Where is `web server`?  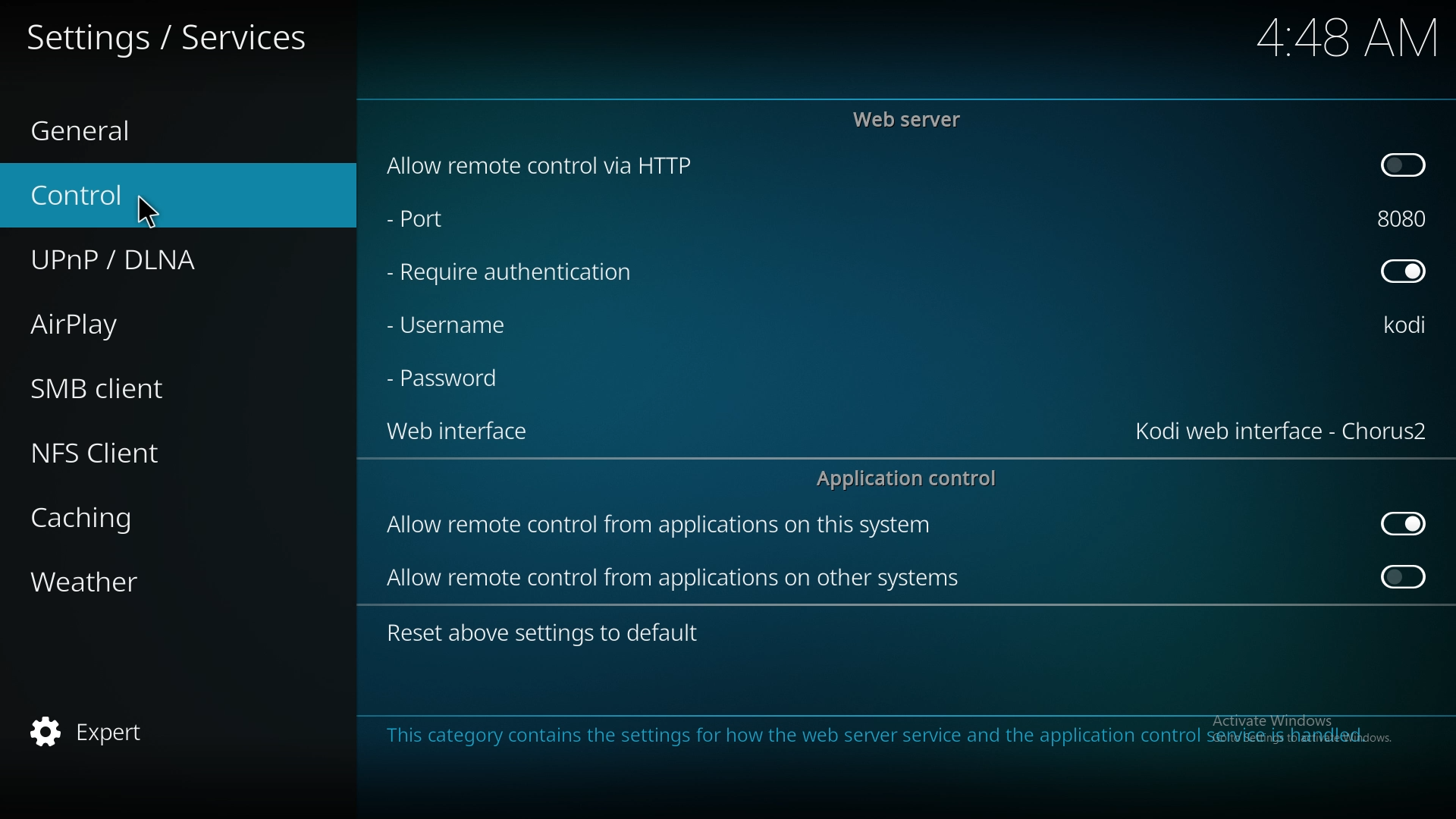 web server is located at coordinates (915, 118).